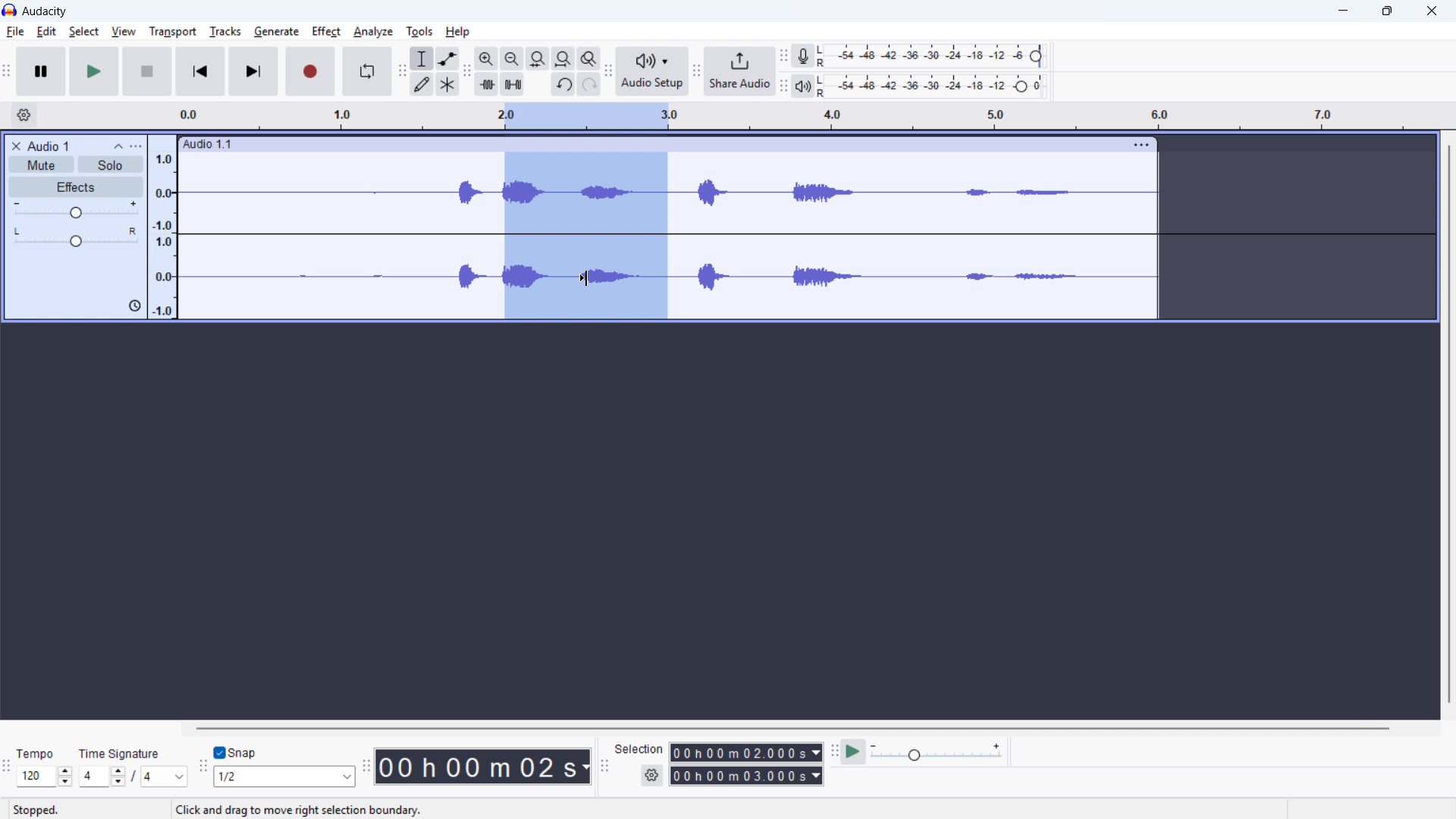 Image resolution: width=1456 pixels, height=819 pixels. I want to click on Click and drag to move right selection boundary., so click(299, 810).